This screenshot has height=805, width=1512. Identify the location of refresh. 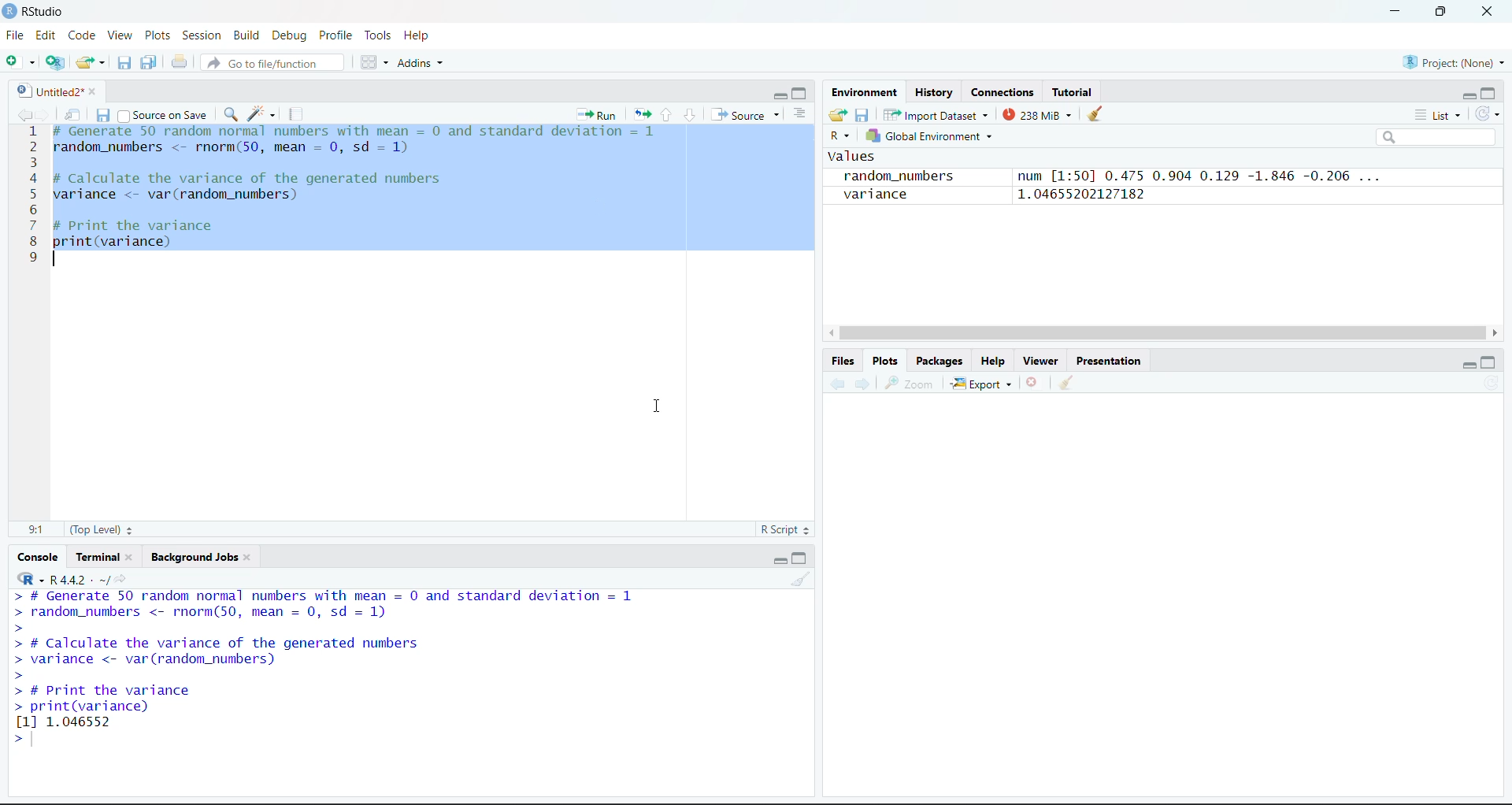
(1487, 114).